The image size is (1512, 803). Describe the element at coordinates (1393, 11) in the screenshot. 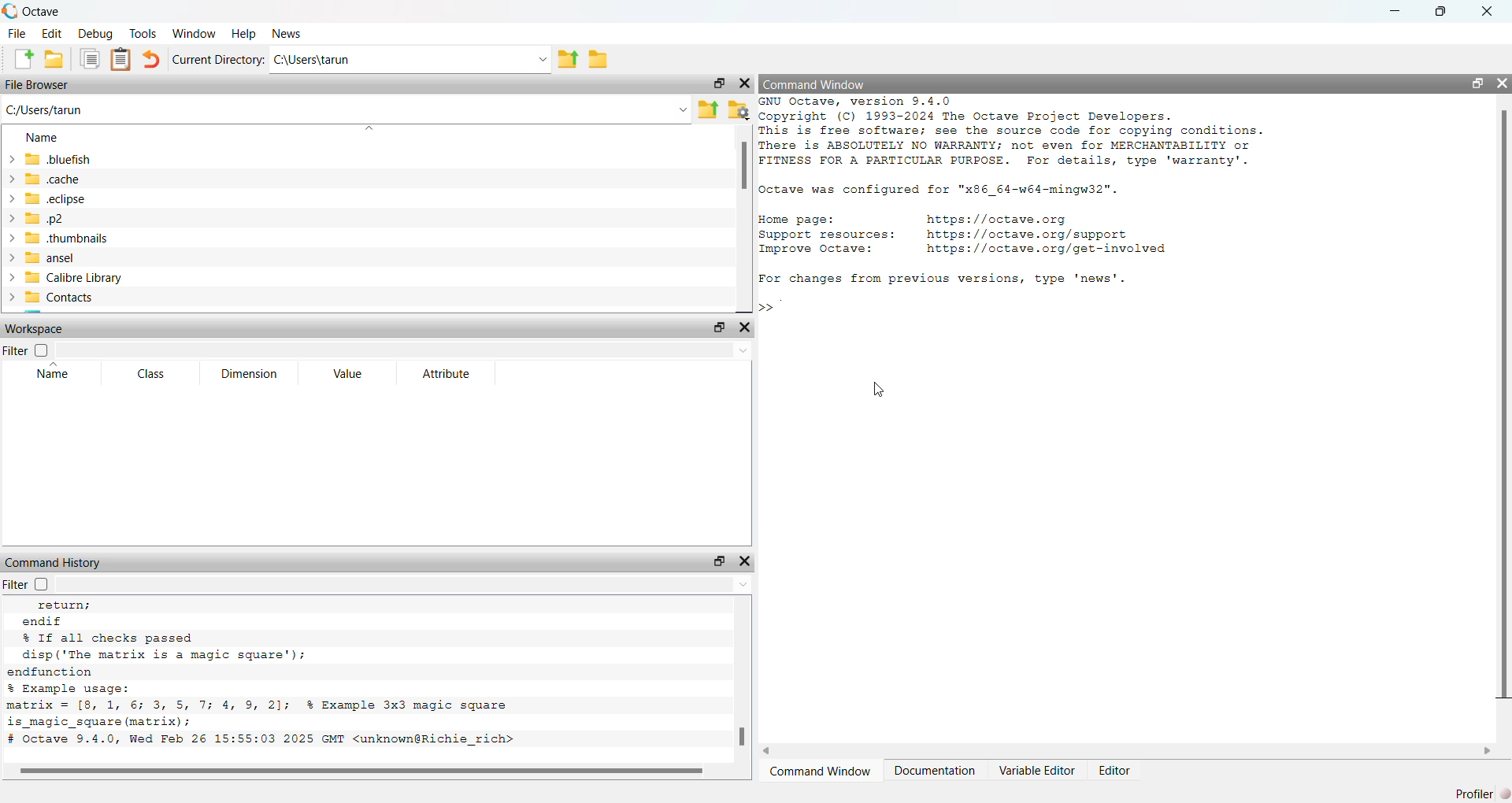

I see `minimize` at that location.